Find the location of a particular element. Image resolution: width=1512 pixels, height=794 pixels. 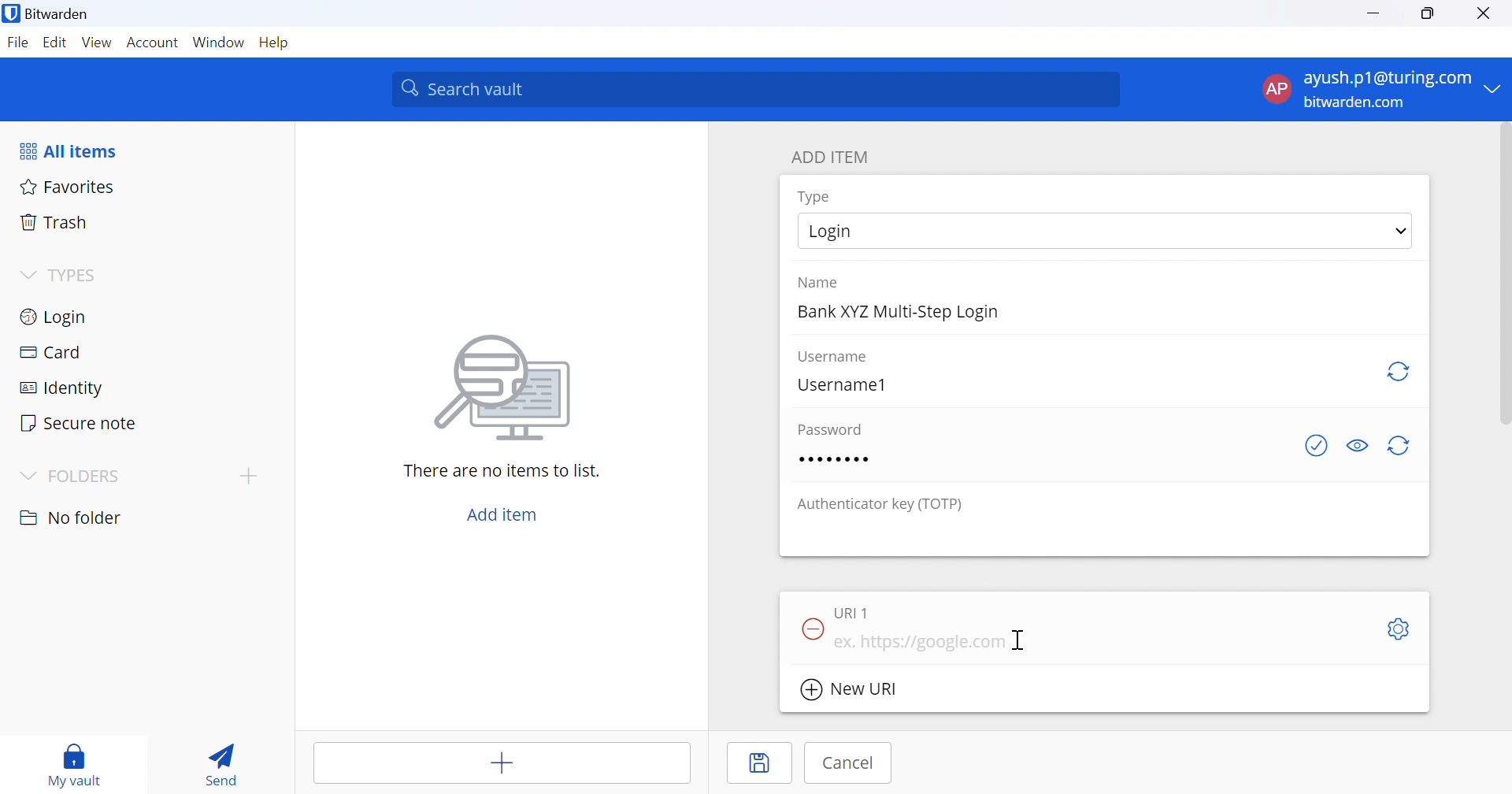

Drop Down is located at coordinates (27, 273).